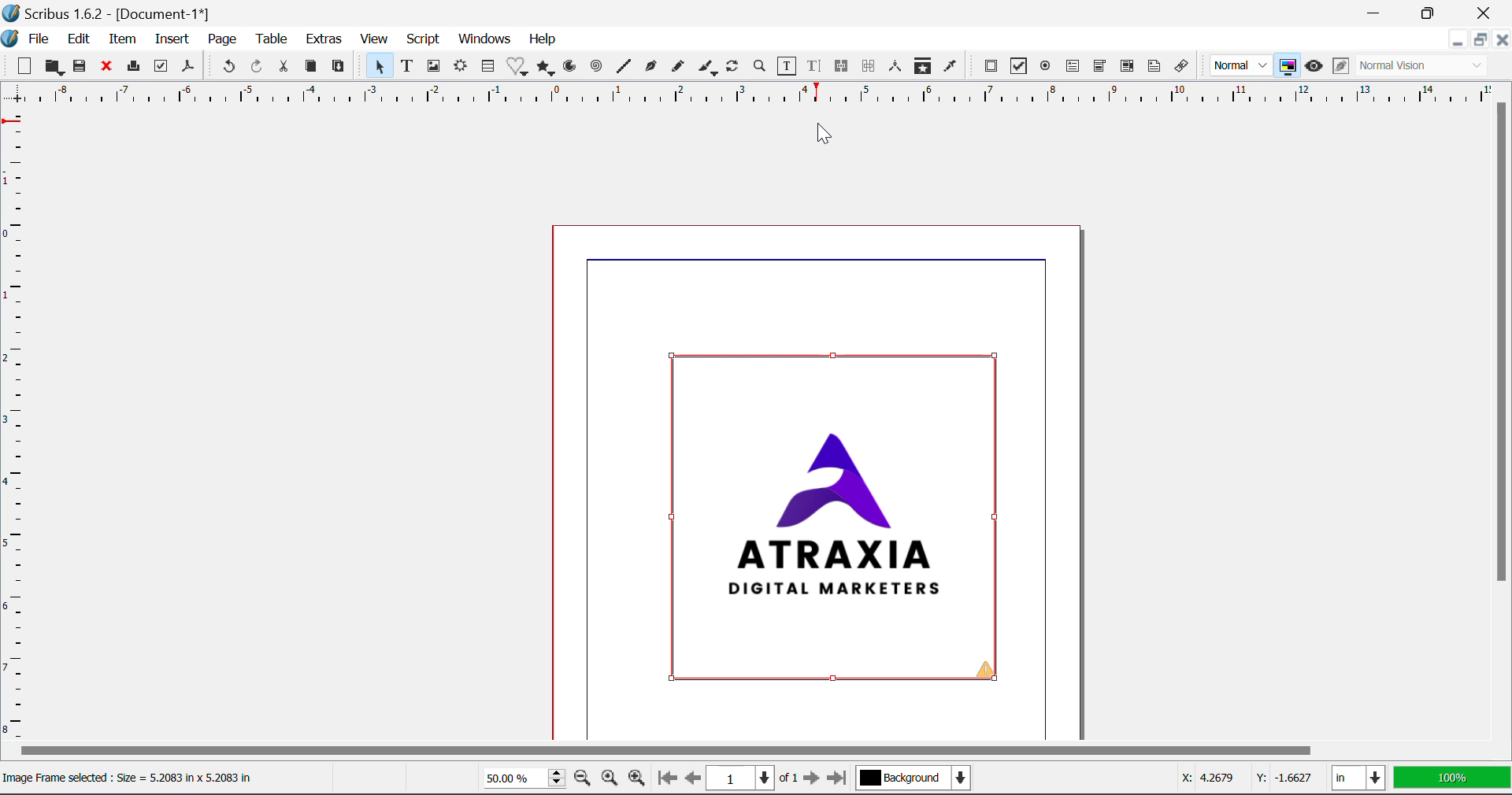 The image size is (1512, 795). What do you see at coordinates (228, 66) in the screenshot?
I see `Undo` at bounding box center [228, 66].